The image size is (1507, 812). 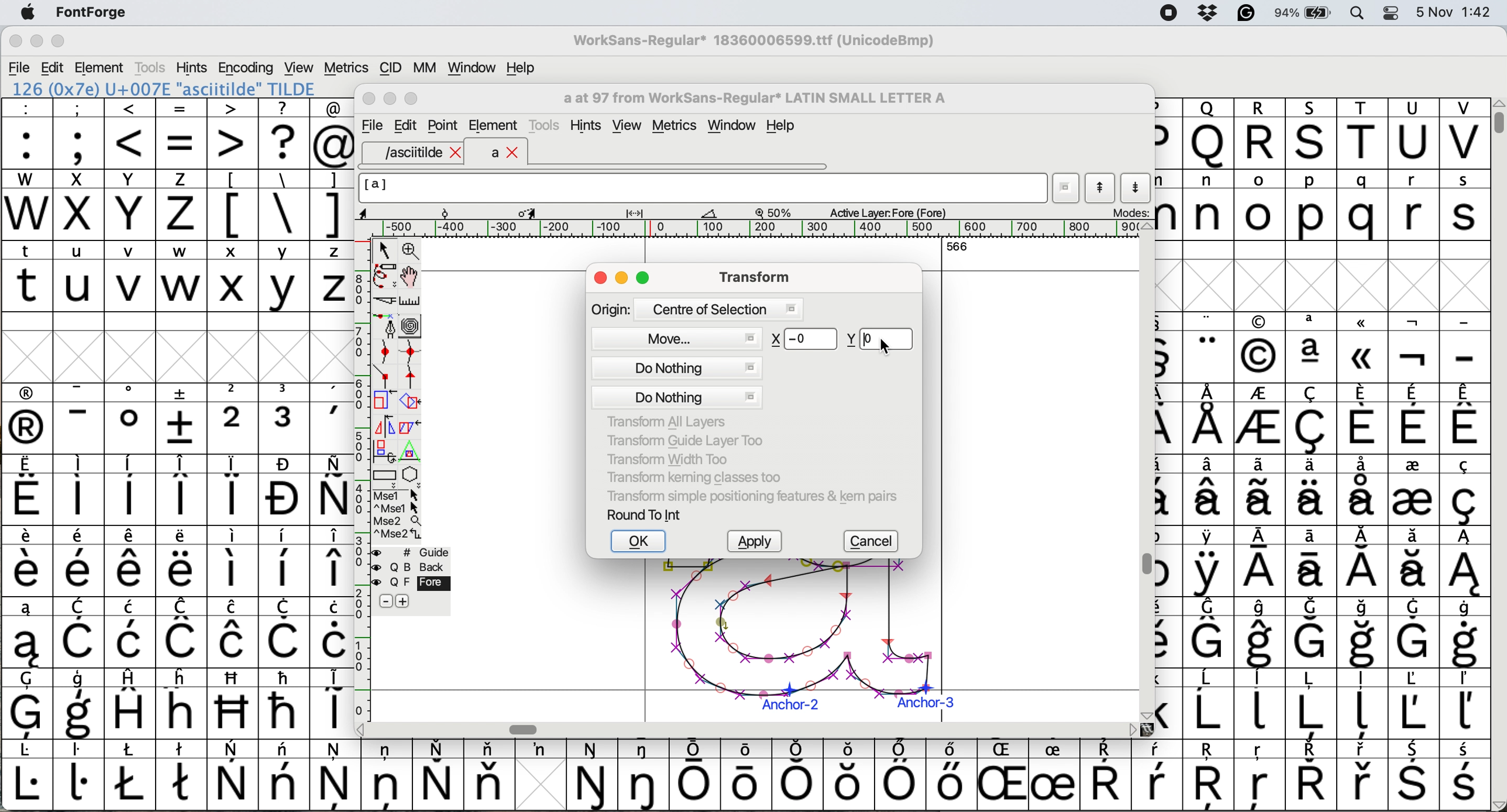 I want to click on symbol, so click(x=334, y=632).